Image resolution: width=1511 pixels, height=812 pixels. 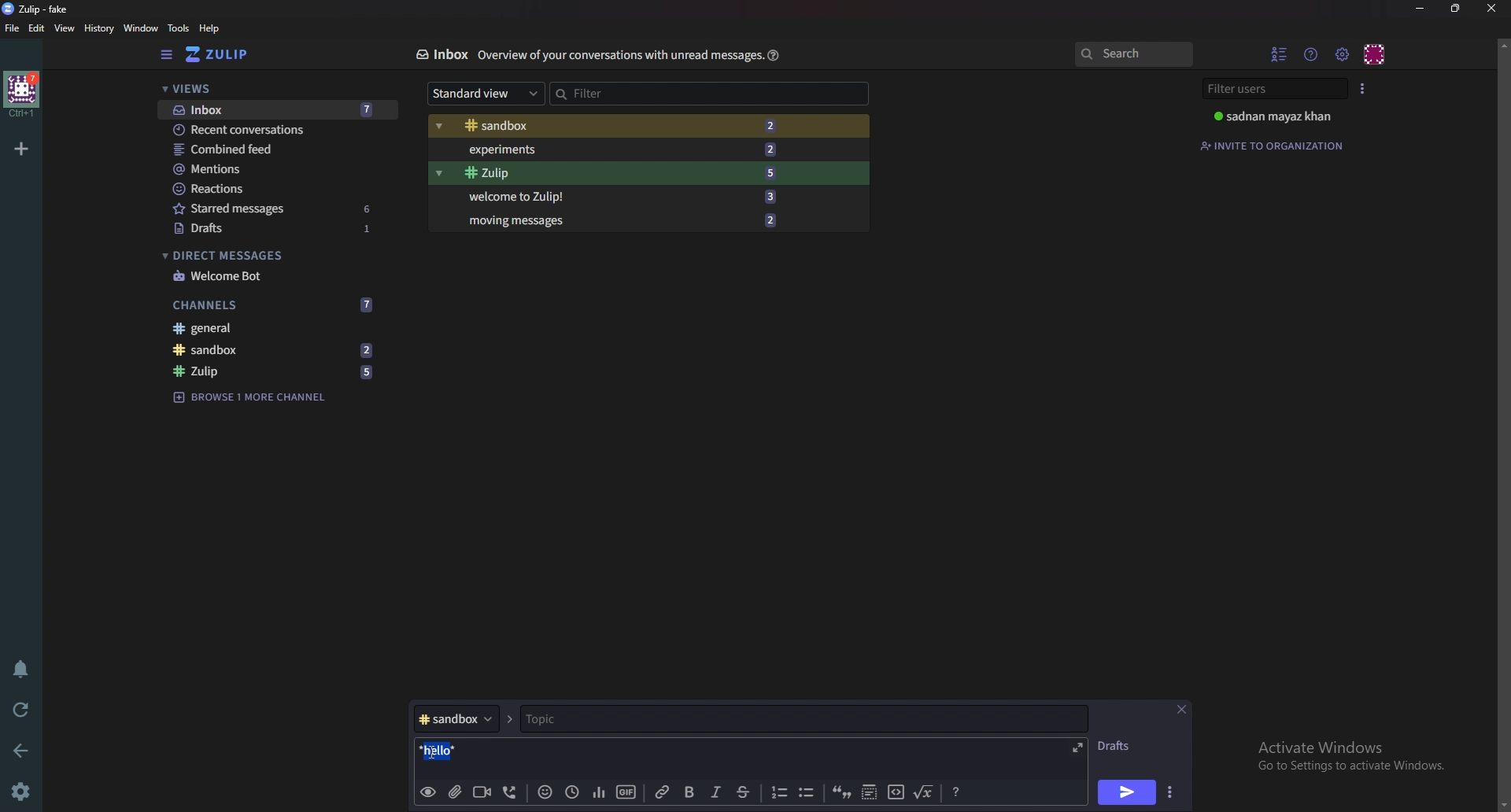 I want to click on search, so click(x=1132, y=53).